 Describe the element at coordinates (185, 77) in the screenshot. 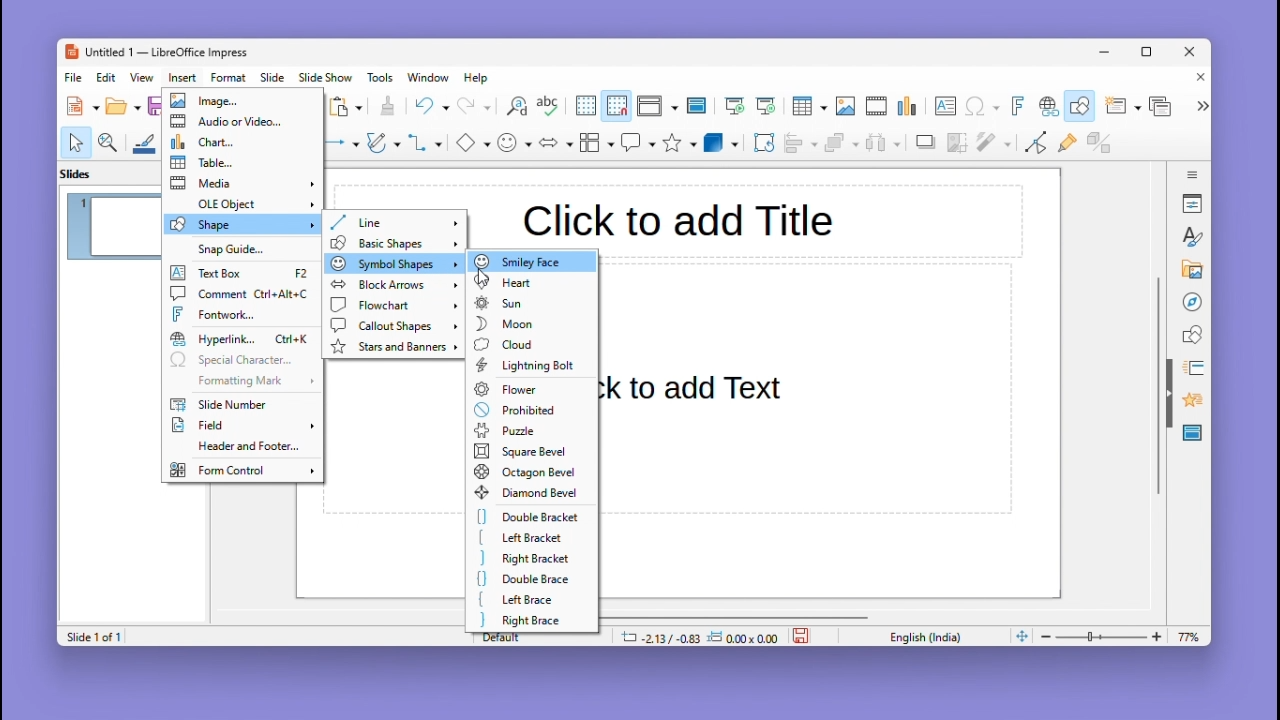

I see `Insert` at that location.